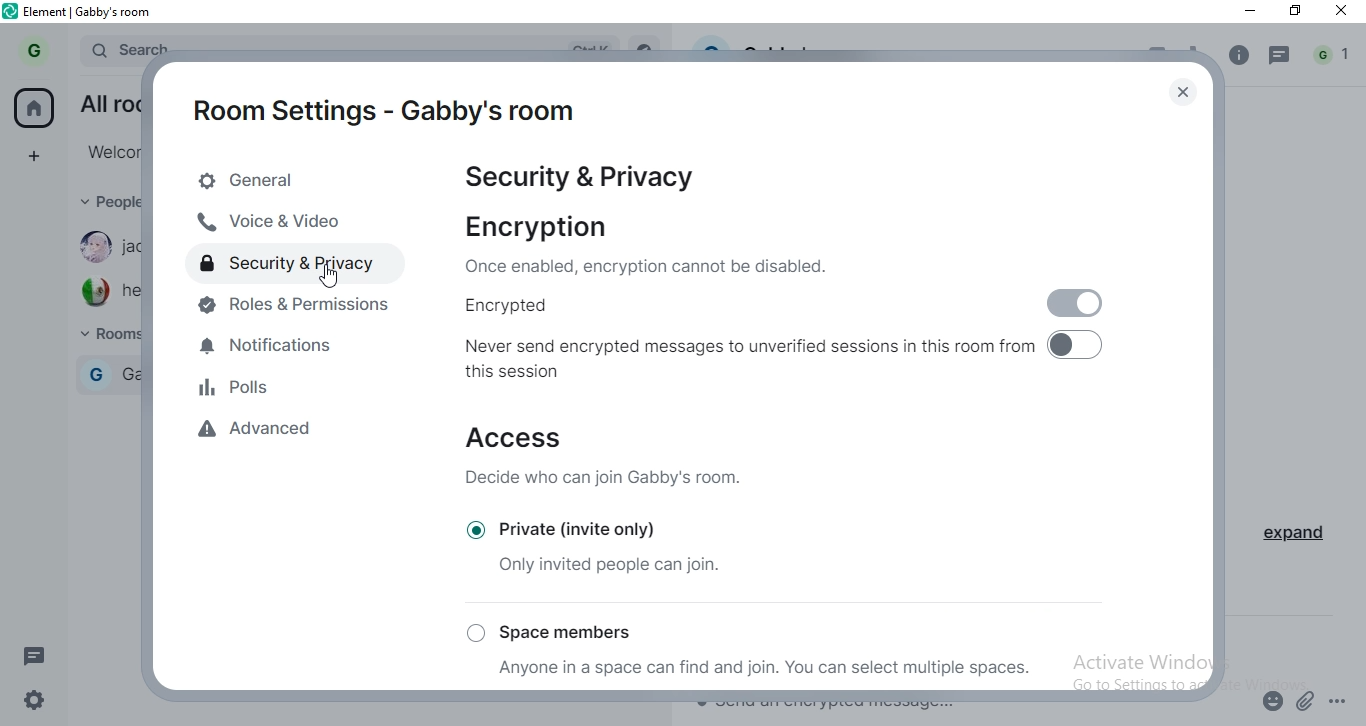  I want to click on minimise, so click(1247, 13).